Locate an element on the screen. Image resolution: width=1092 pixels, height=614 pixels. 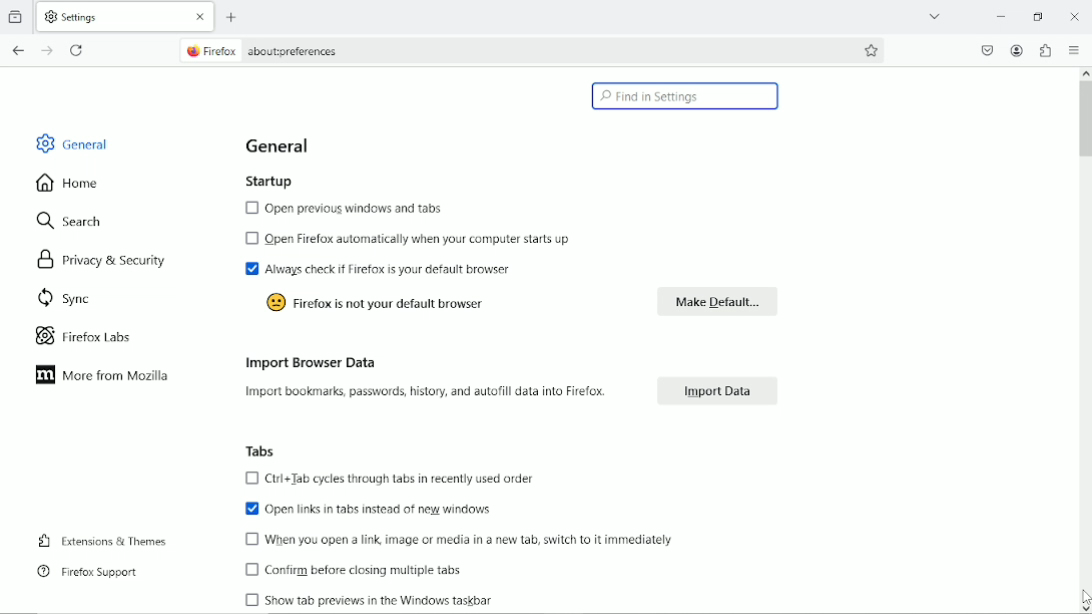
minimize is located at coordinates (998, 15).